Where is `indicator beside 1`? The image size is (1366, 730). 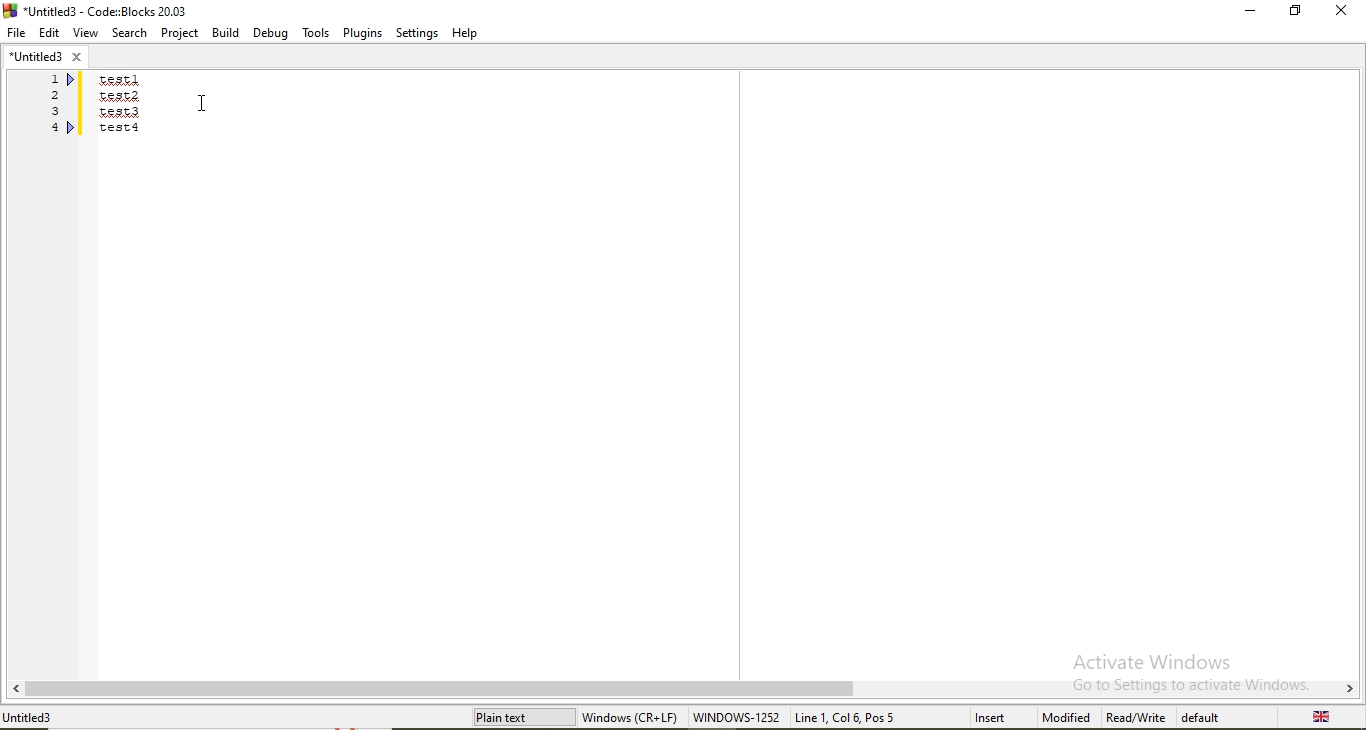
indicator beside 1 is located at coordinates (73, 80).